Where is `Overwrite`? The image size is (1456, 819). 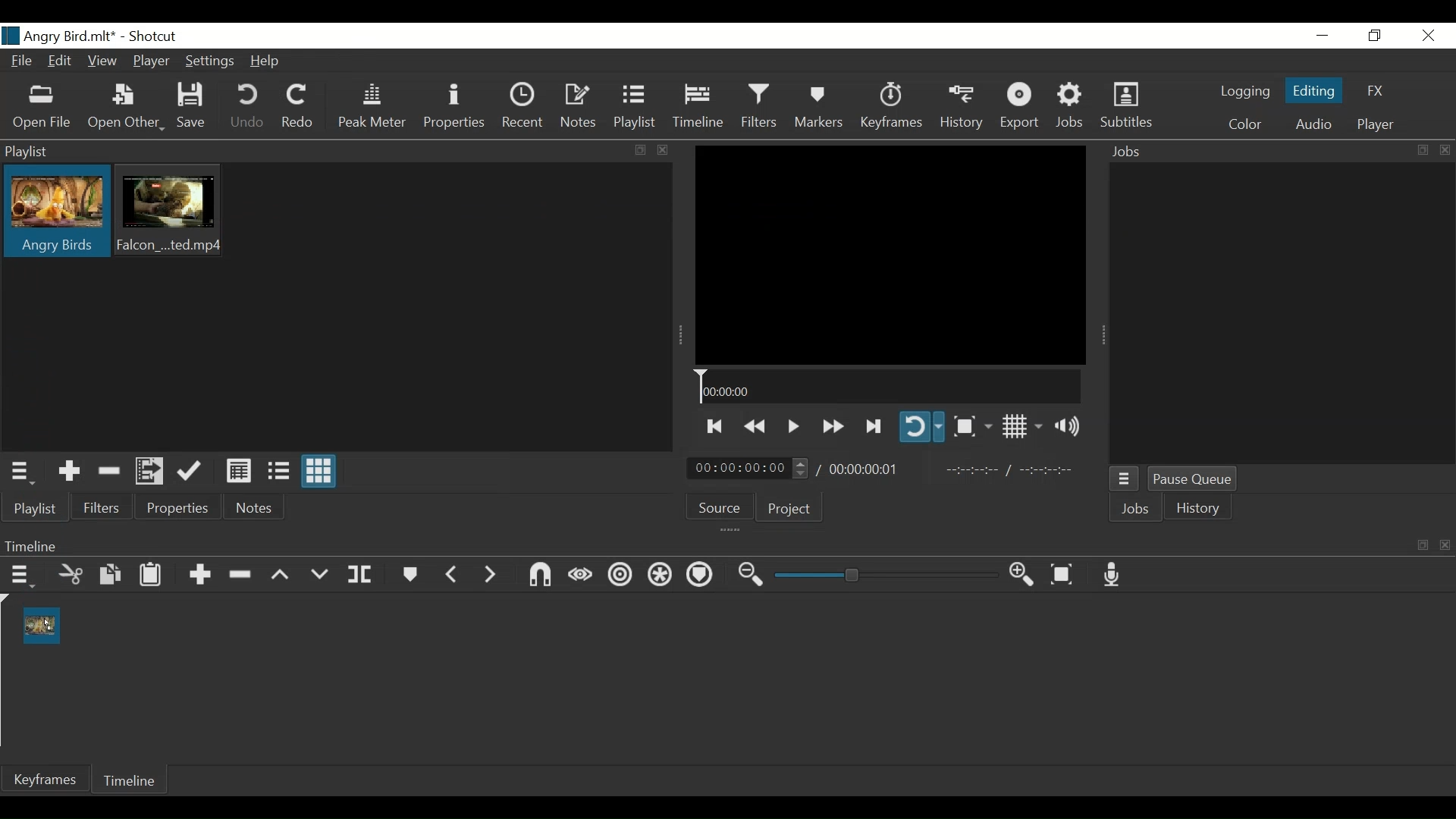 Overwrite is located at coordinates (319, 572).